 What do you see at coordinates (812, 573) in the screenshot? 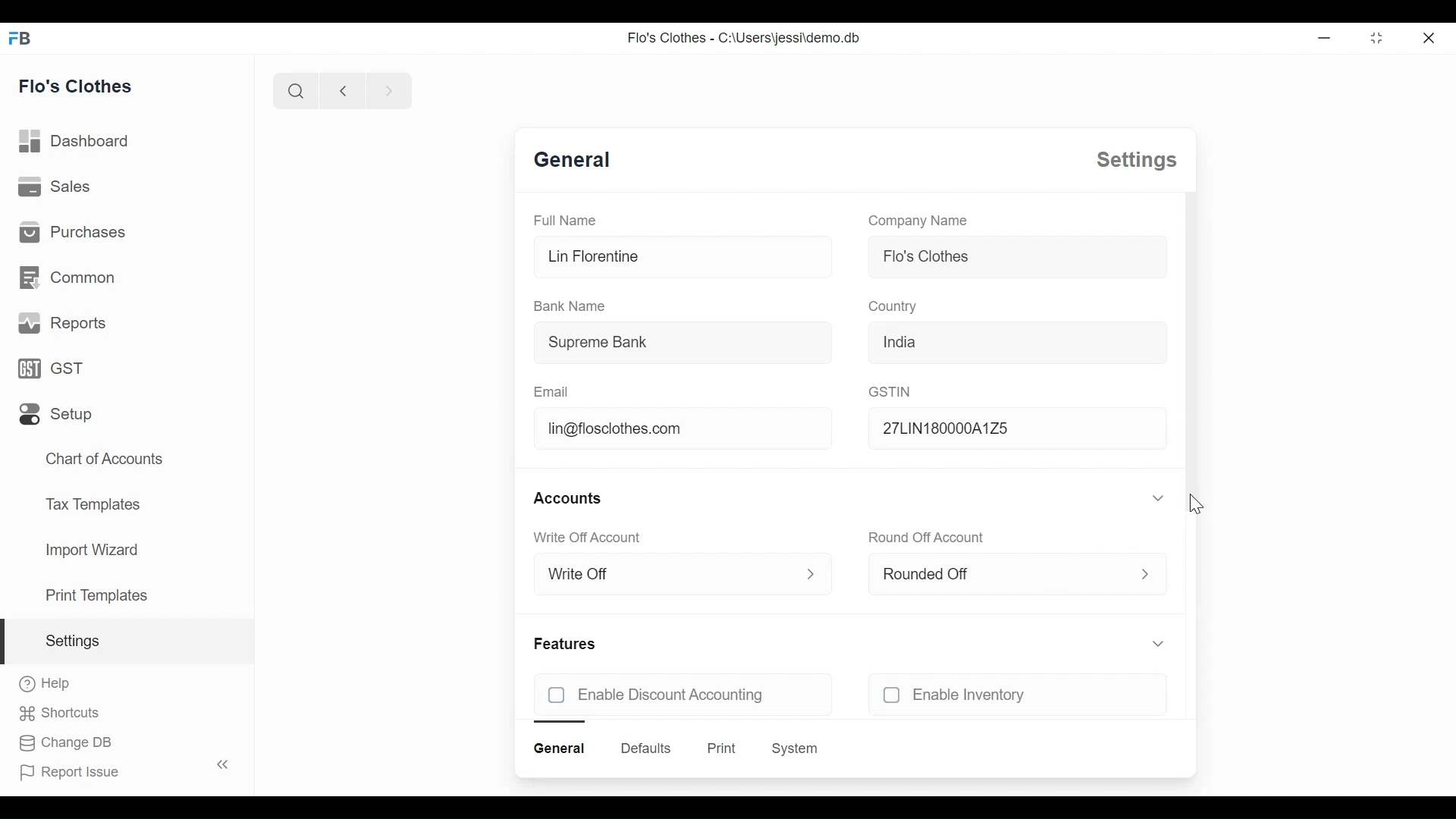
I see `Expand` at bounding box center [812, 573].